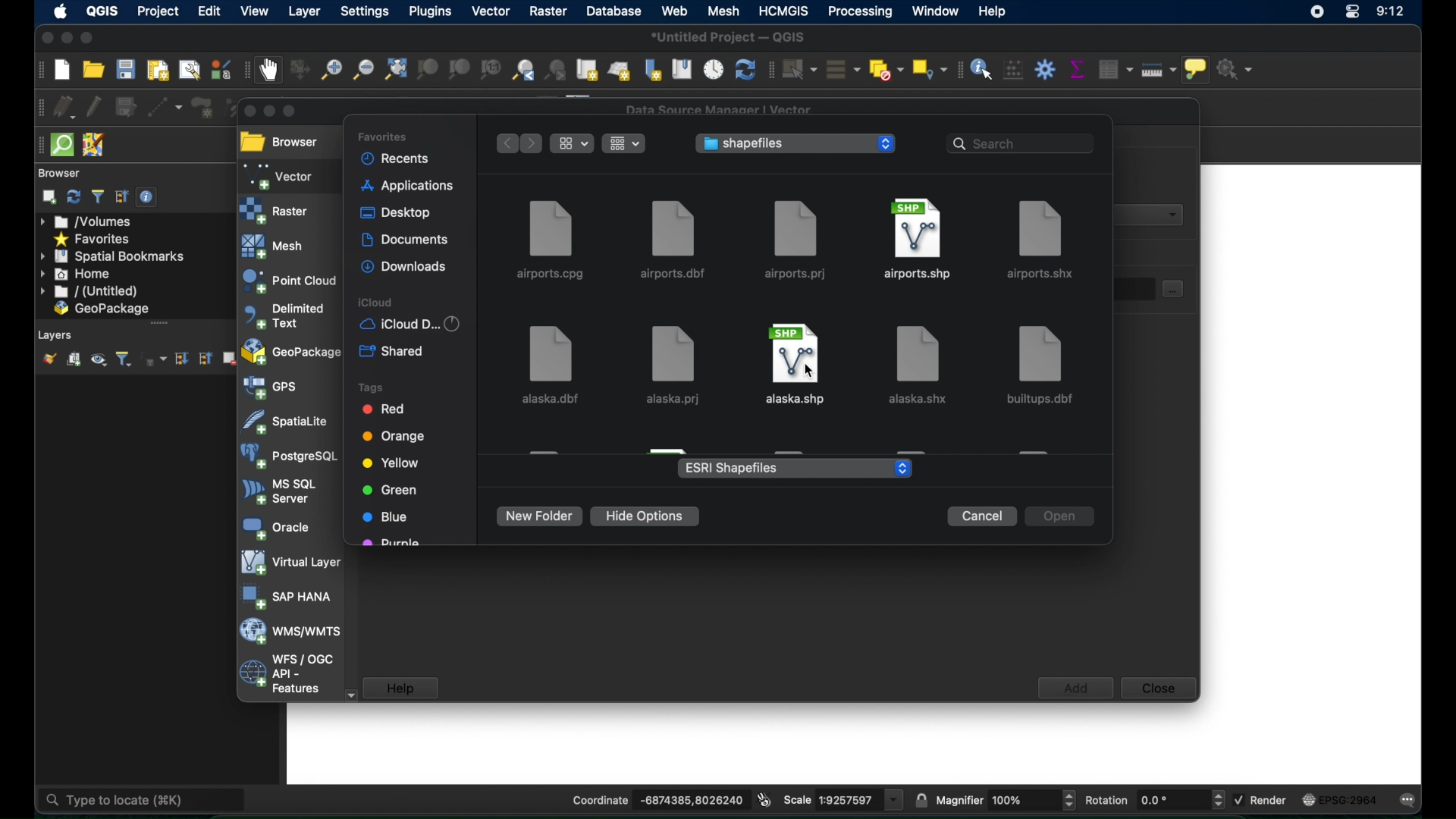 This screenshot has width=1456, height=819. Describe the element at coordinates (62, 173) in the screenshot. I see `browser` at that location.